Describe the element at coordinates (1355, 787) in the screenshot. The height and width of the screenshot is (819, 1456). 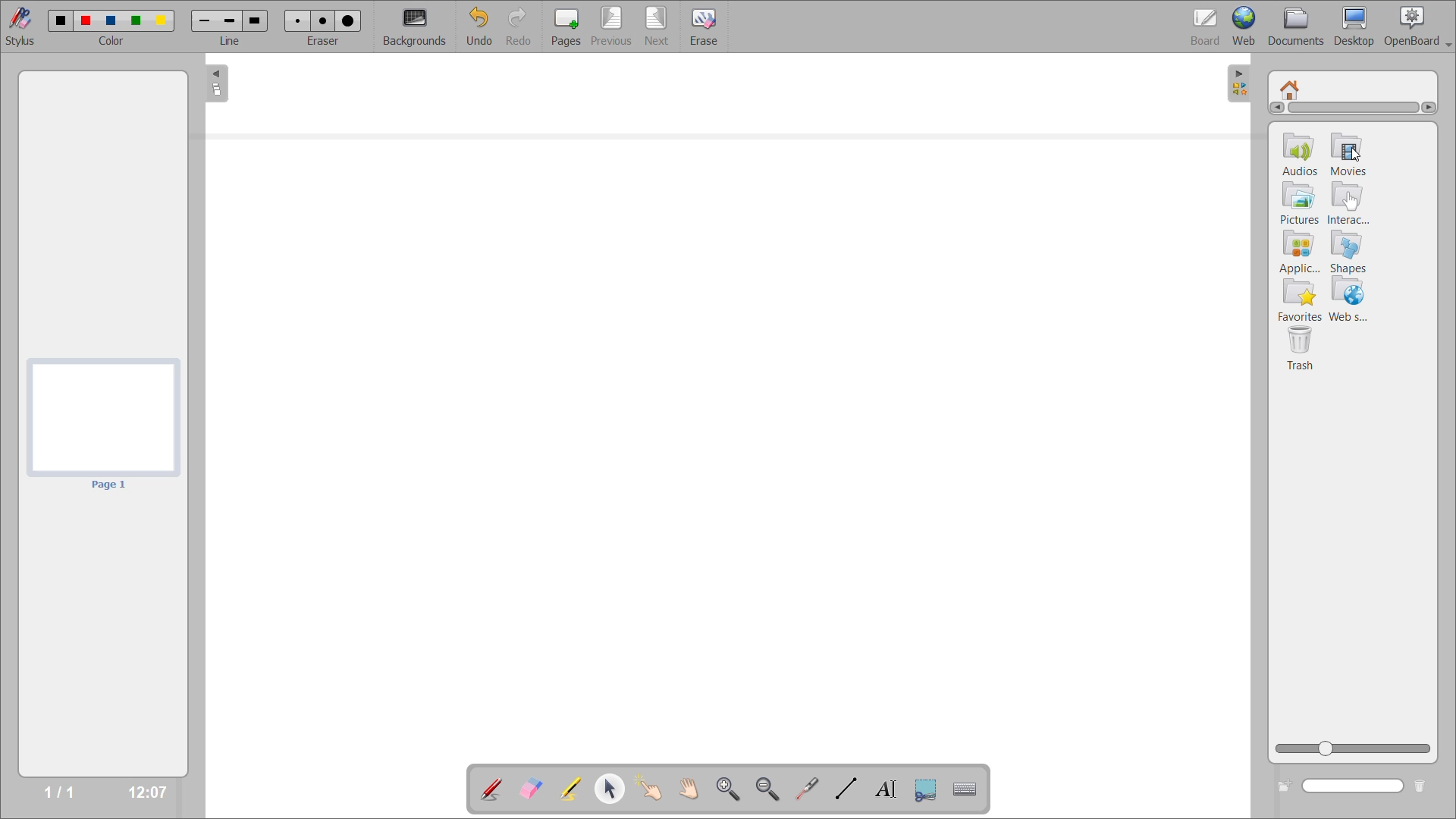
I see `name box` at that location.